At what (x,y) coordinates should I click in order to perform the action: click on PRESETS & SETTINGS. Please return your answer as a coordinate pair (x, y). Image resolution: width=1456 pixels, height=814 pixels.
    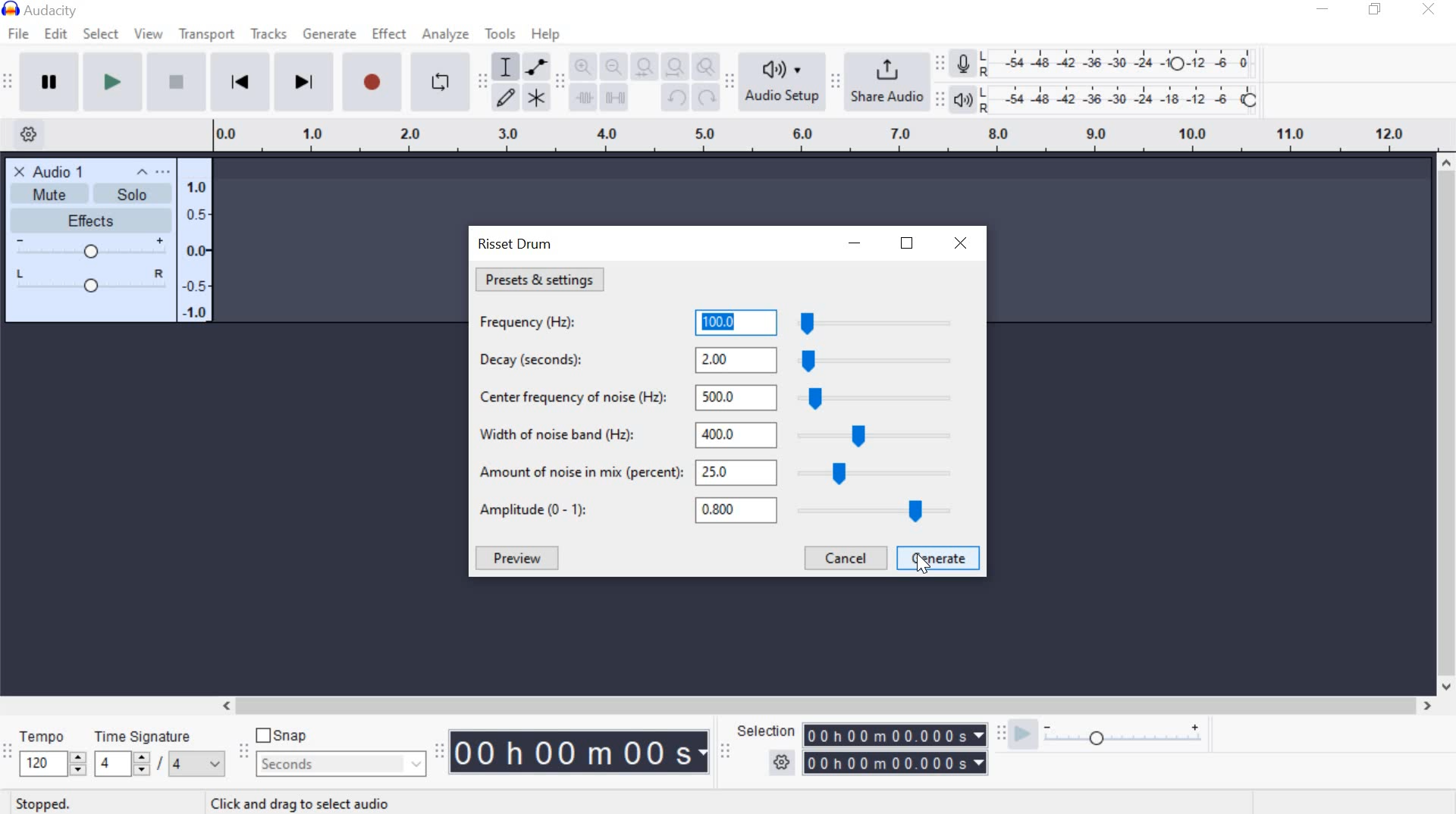
    Looking at the image, I should click on (541, 279).